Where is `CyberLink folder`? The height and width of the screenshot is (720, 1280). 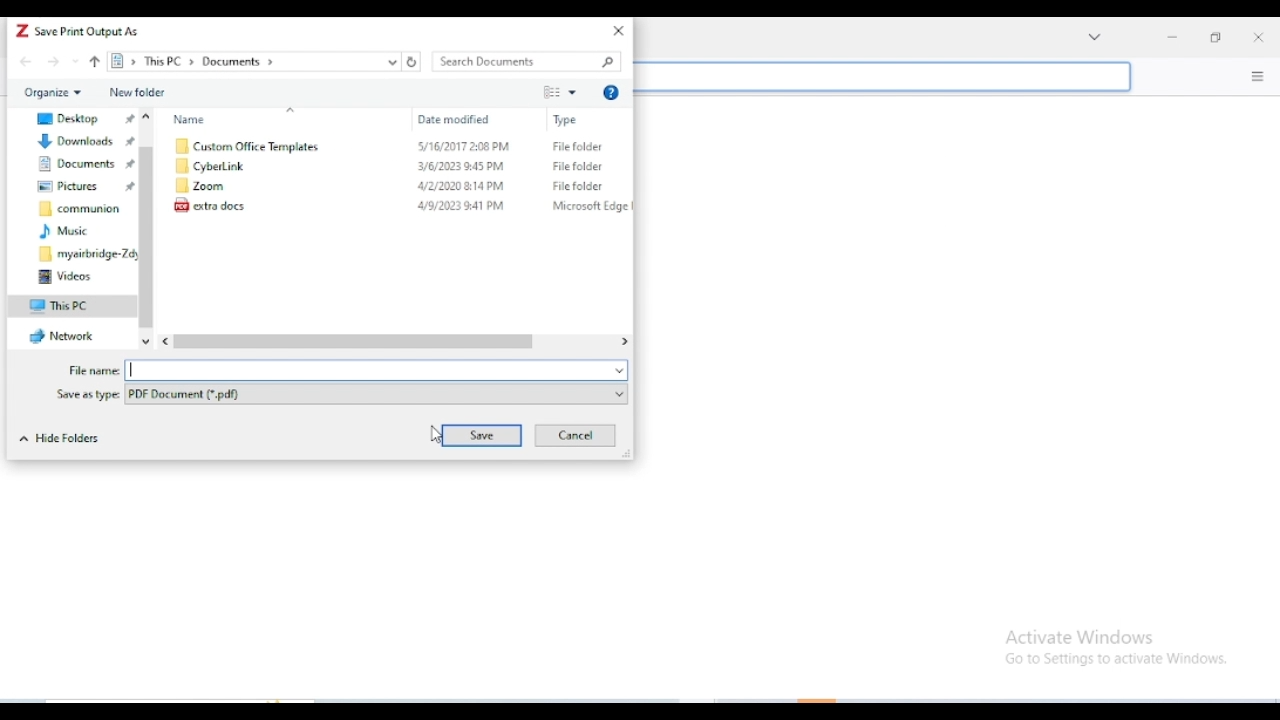
CyberLink folder is located at coordinates (210, 166).